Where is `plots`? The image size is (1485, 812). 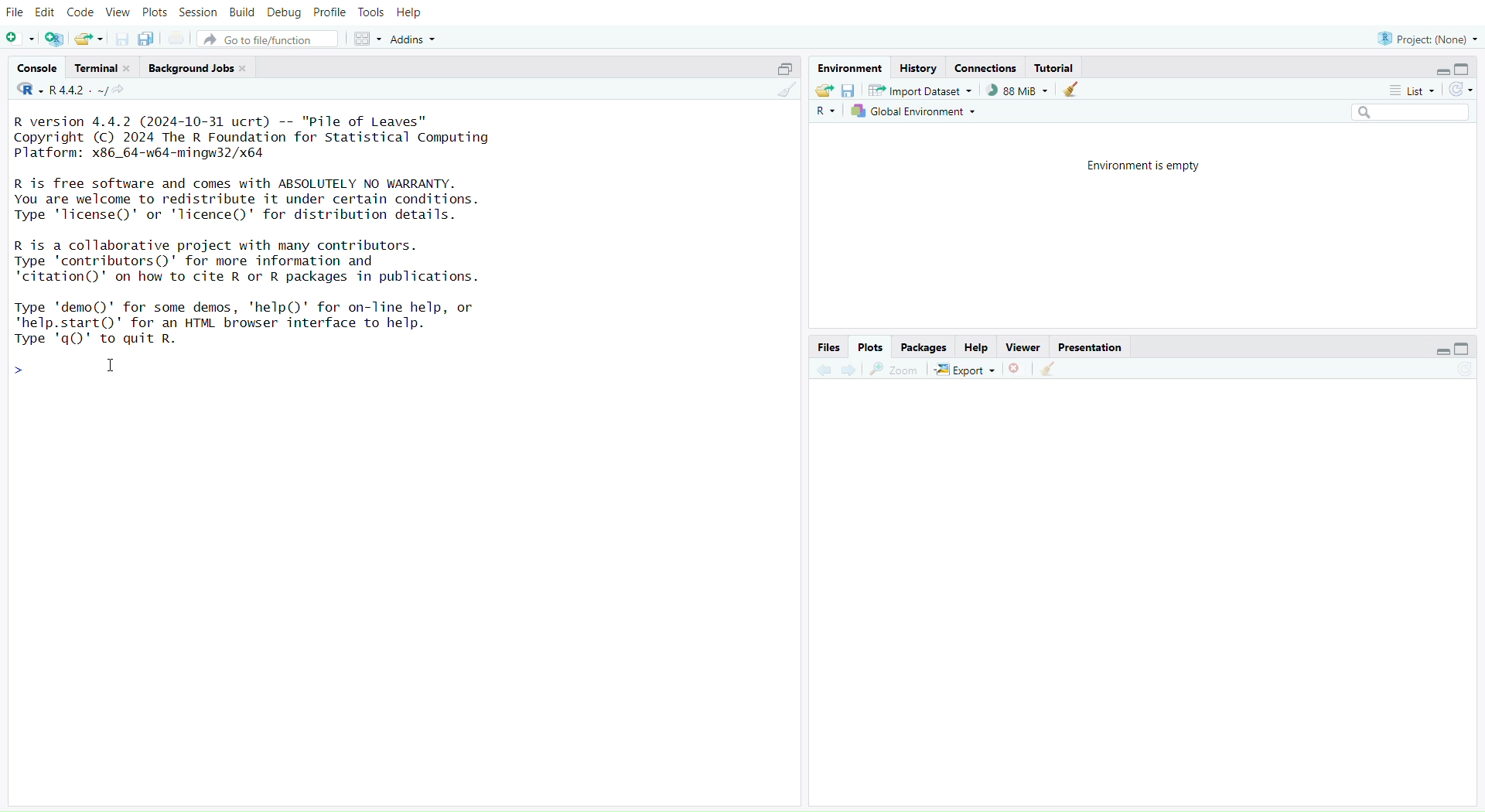
plots is located at coordinates (154, 12).